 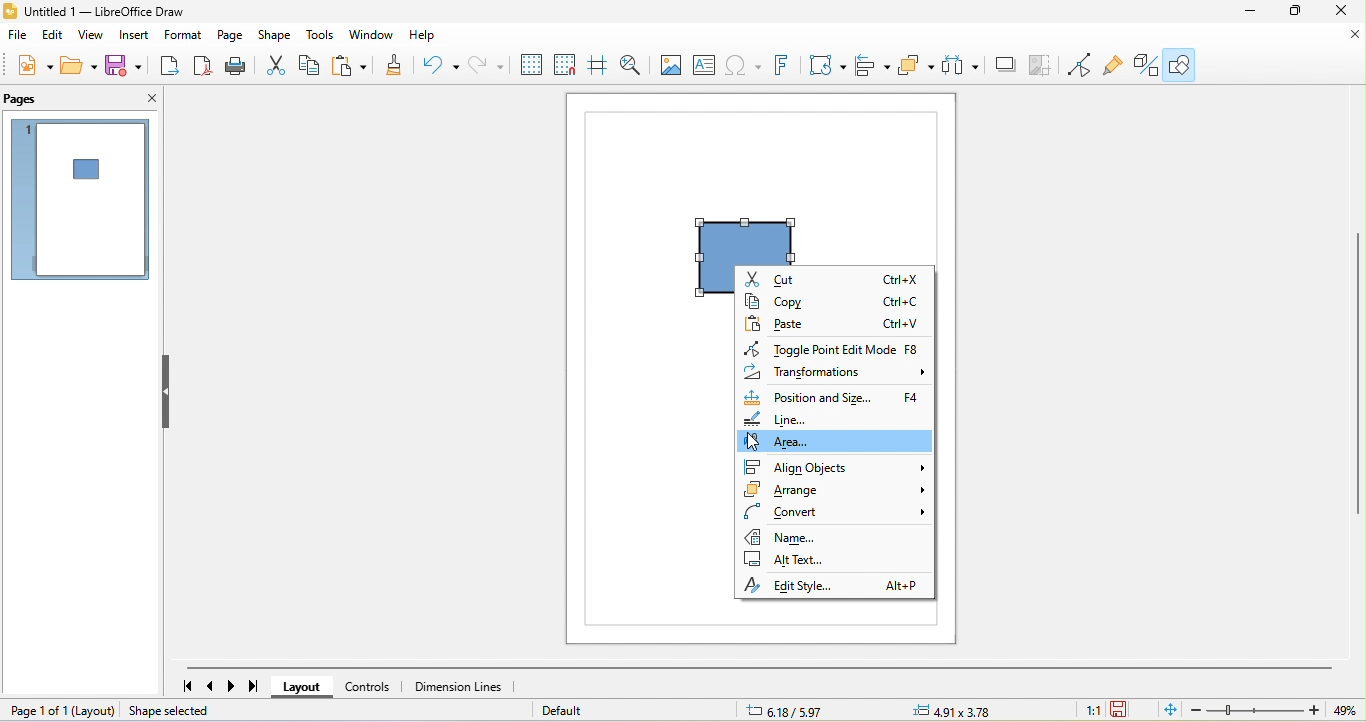 What do you see at coordinates (835, 515) in the screenshot?
I see `convert` at bounding box center [835, 515].